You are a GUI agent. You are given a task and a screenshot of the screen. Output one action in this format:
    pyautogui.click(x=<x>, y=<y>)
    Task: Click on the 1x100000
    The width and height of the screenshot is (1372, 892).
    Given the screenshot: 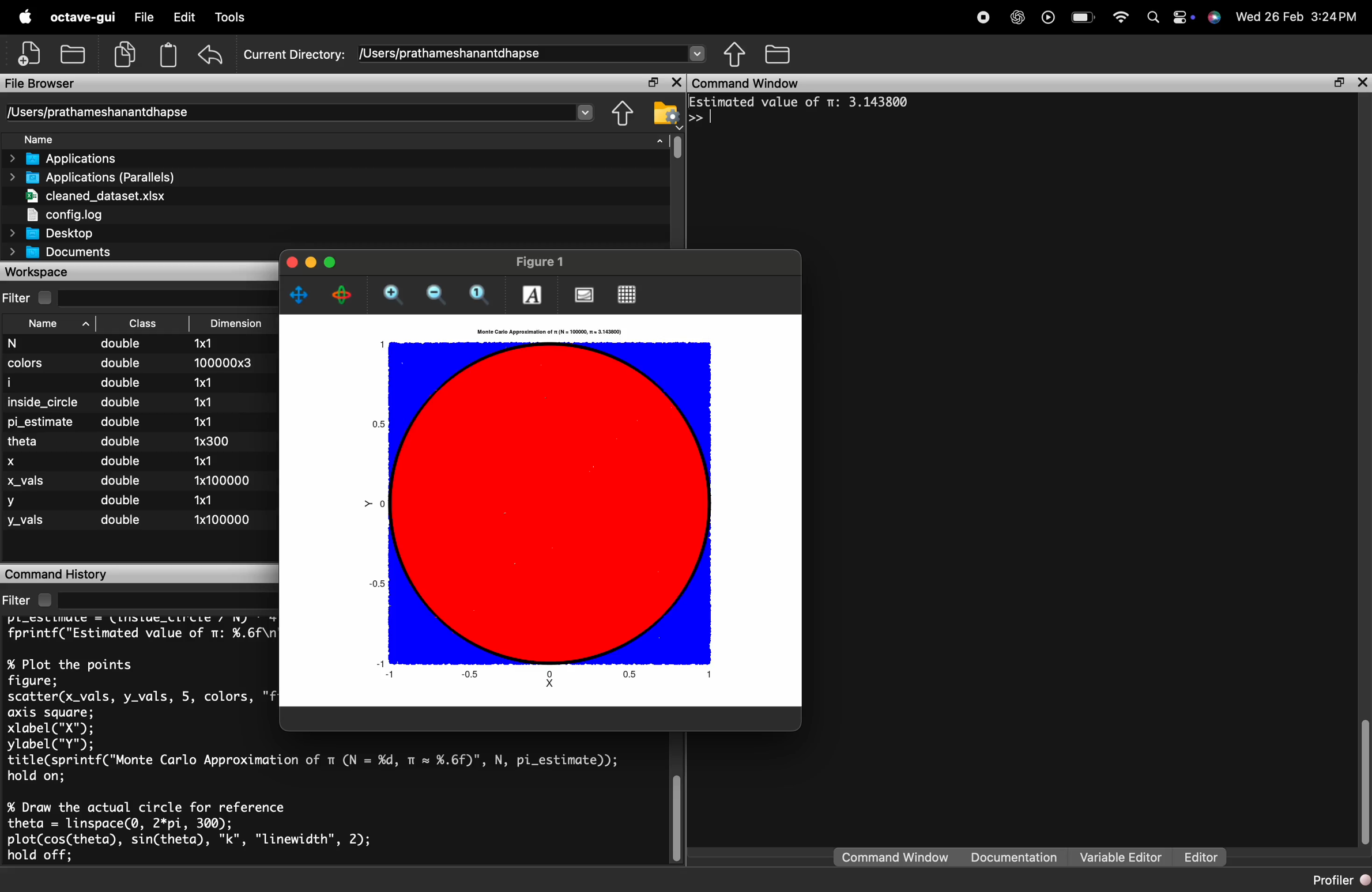 What is the action you would take?
    pyautogui.click(x=220, y=519)
    